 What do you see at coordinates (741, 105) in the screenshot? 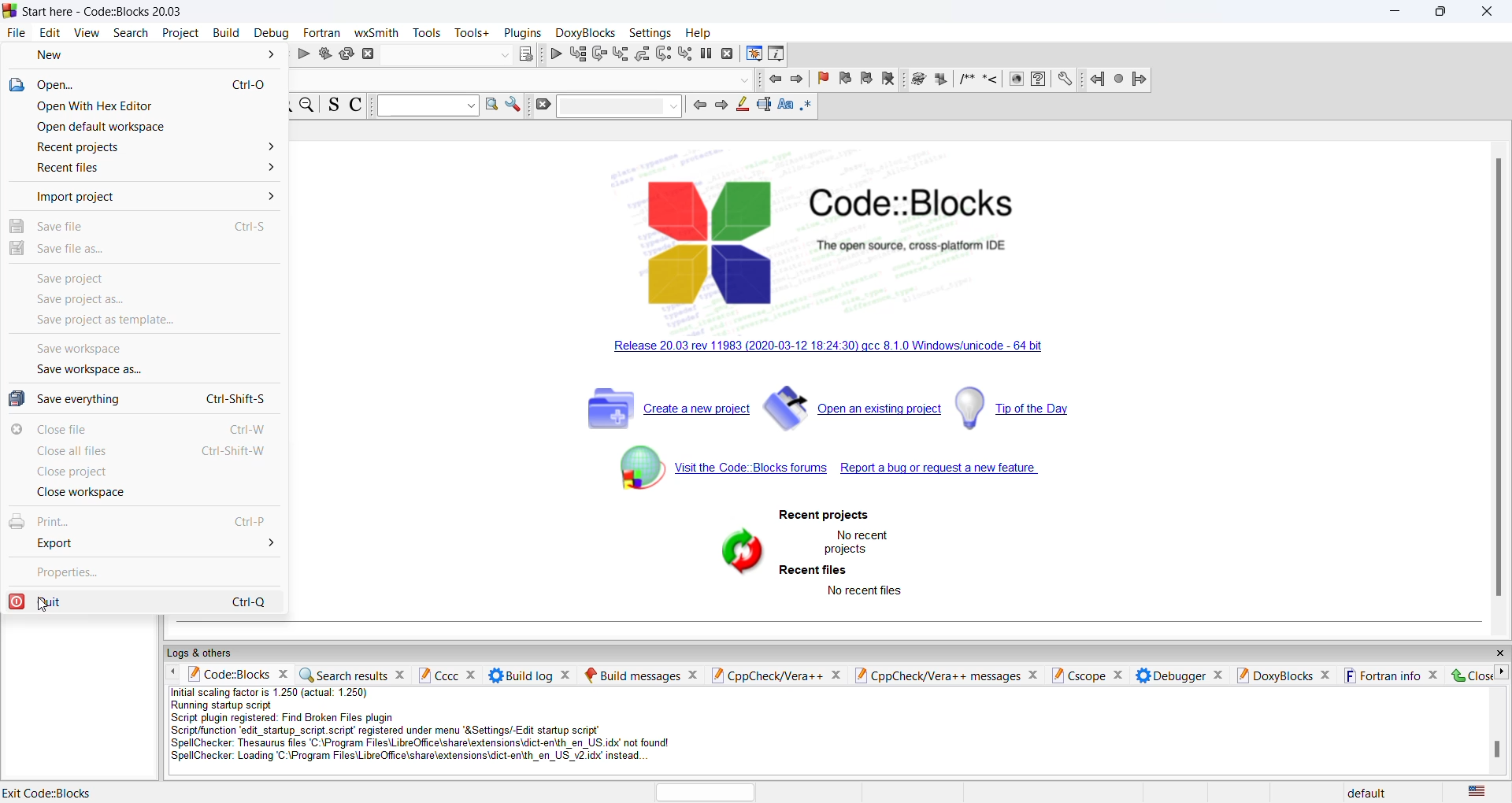
I see `highlight` at bounding box center [741, 105].